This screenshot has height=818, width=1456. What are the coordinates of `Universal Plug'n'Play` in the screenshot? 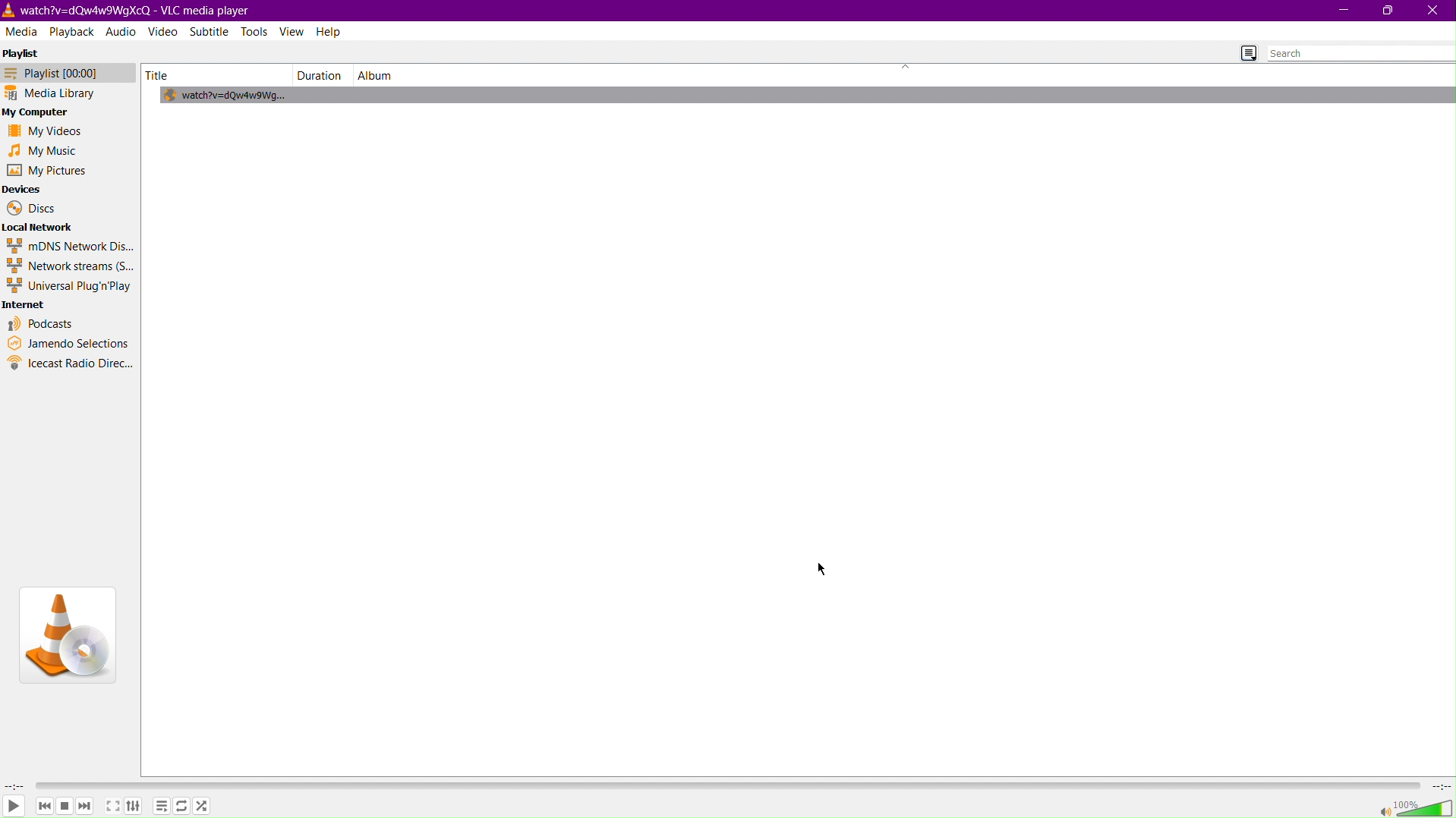 It's located at (70, 288).